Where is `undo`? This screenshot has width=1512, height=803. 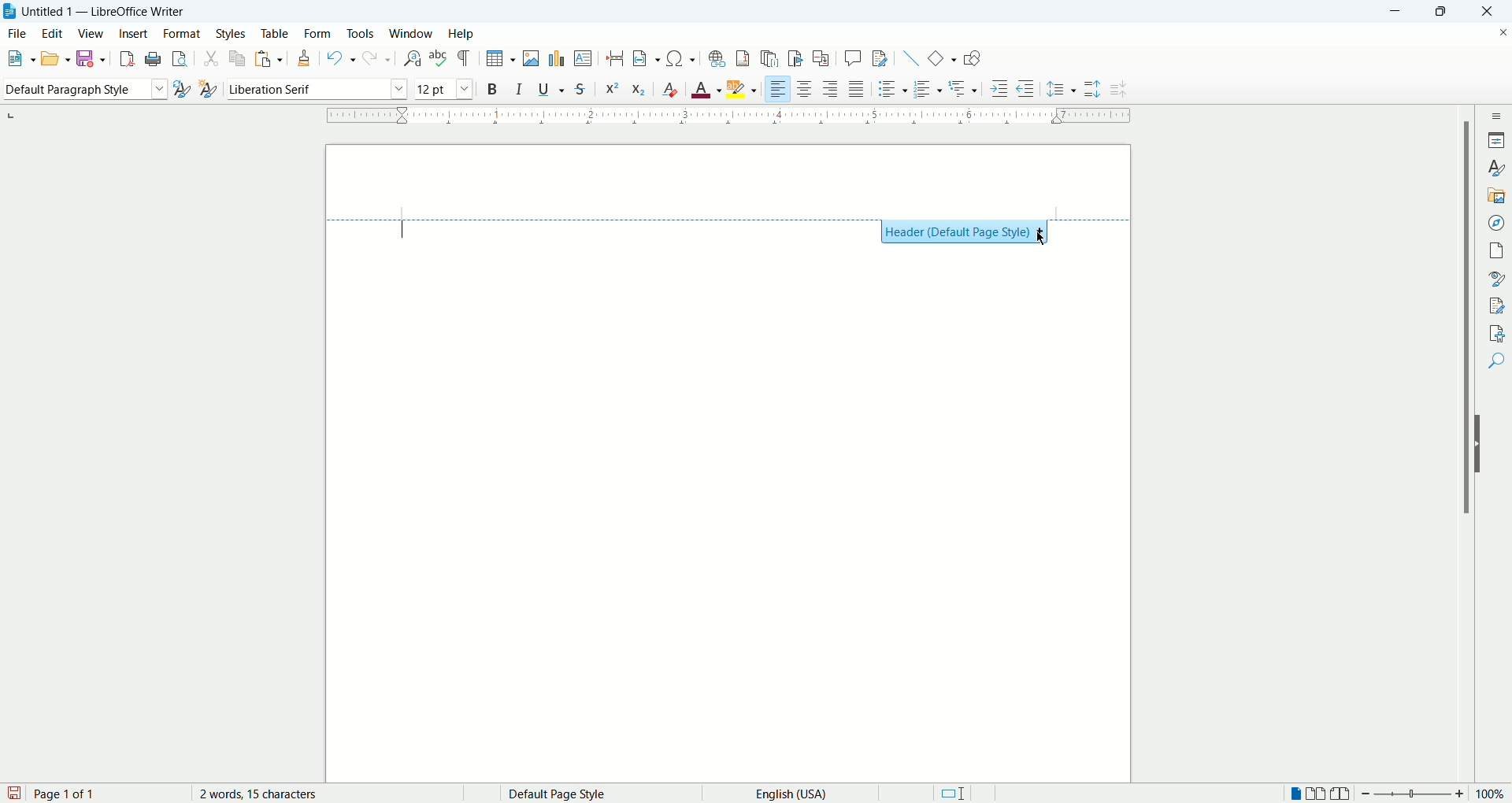
undo is located at coordinates (341, 58).